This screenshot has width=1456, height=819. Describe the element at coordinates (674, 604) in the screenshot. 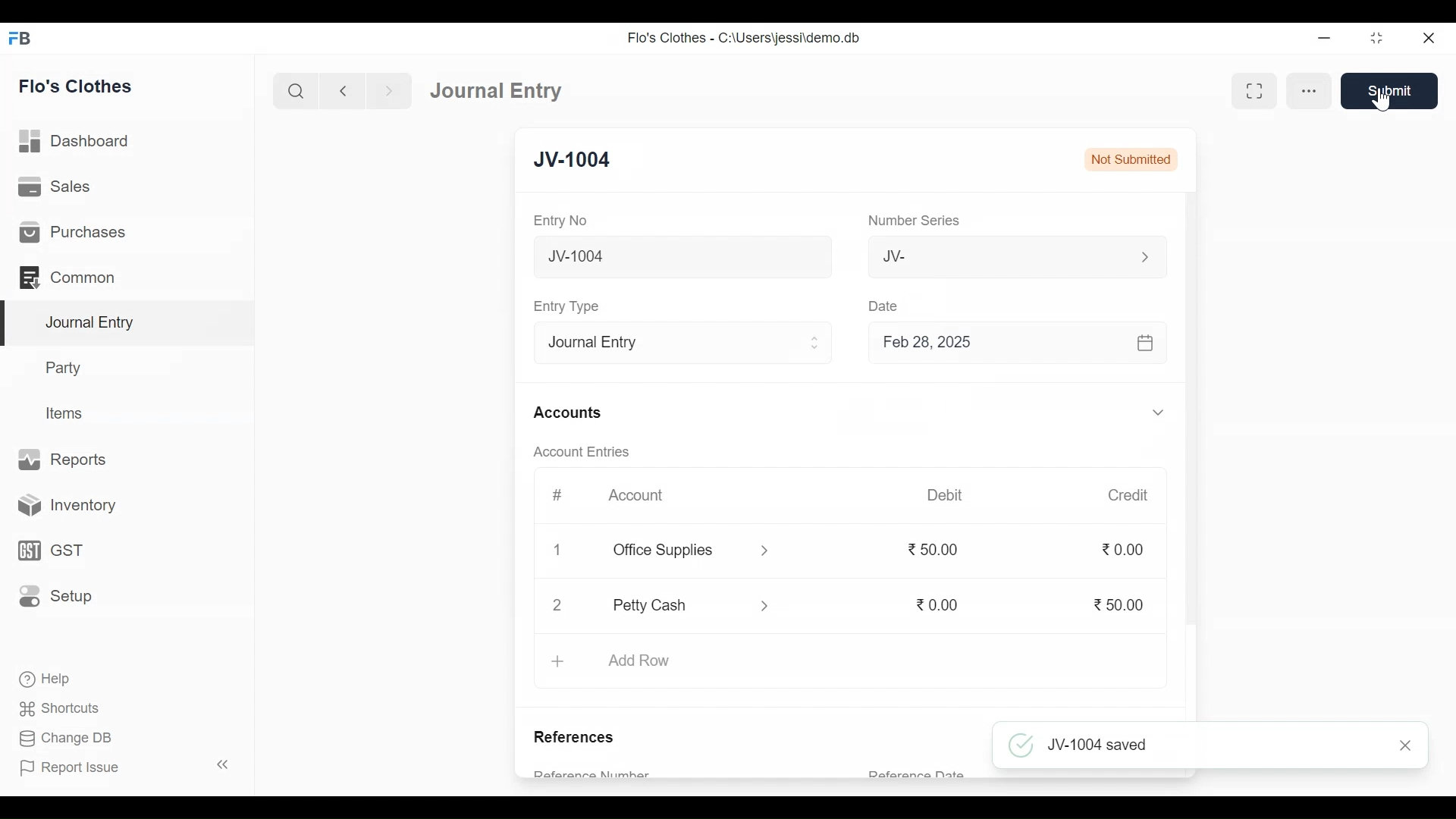

I see `Petty Cash` at that location.